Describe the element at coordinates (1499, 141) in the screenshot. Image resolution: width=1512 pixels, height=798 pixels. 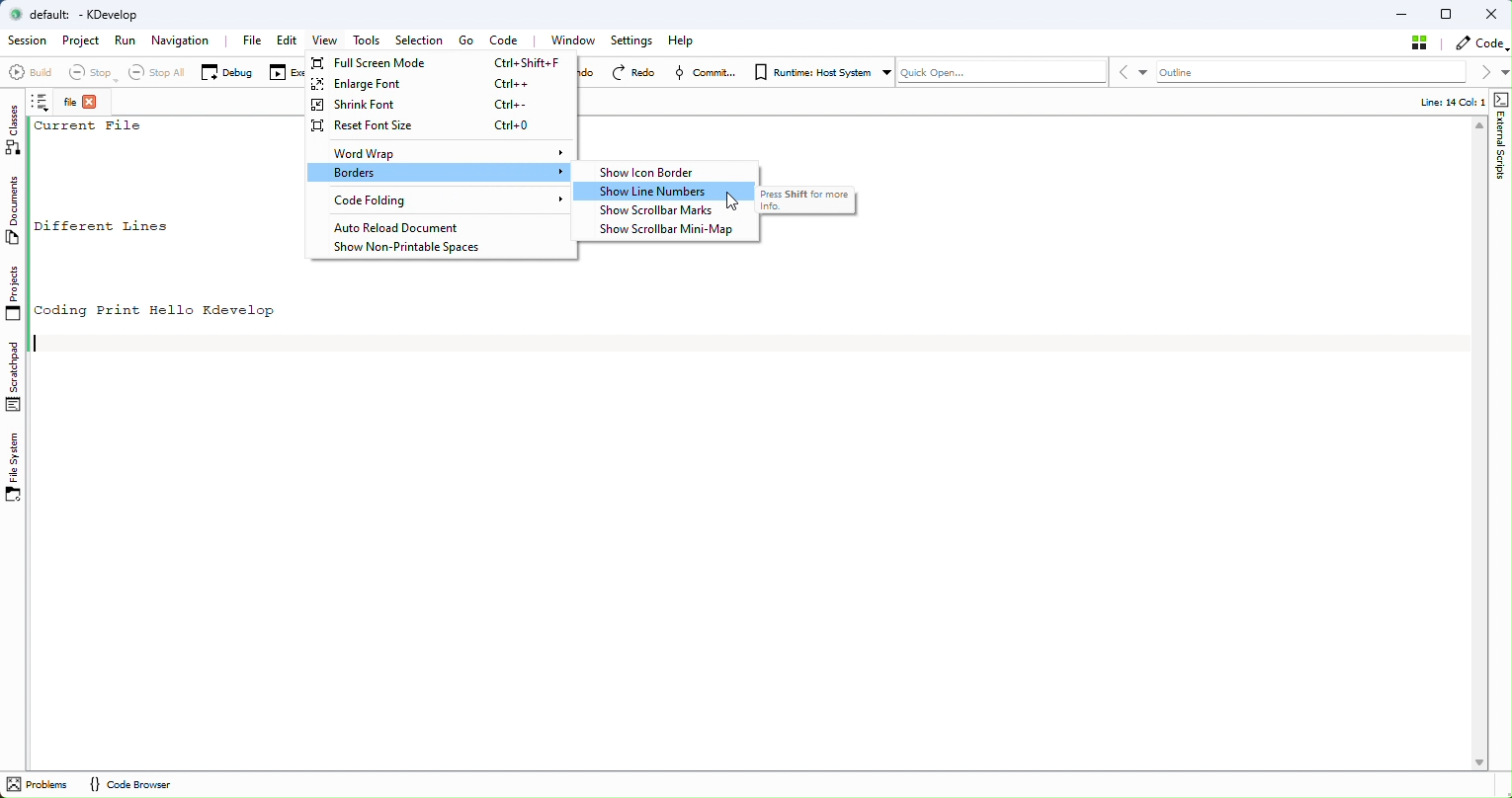
I see `Shape` at that location.